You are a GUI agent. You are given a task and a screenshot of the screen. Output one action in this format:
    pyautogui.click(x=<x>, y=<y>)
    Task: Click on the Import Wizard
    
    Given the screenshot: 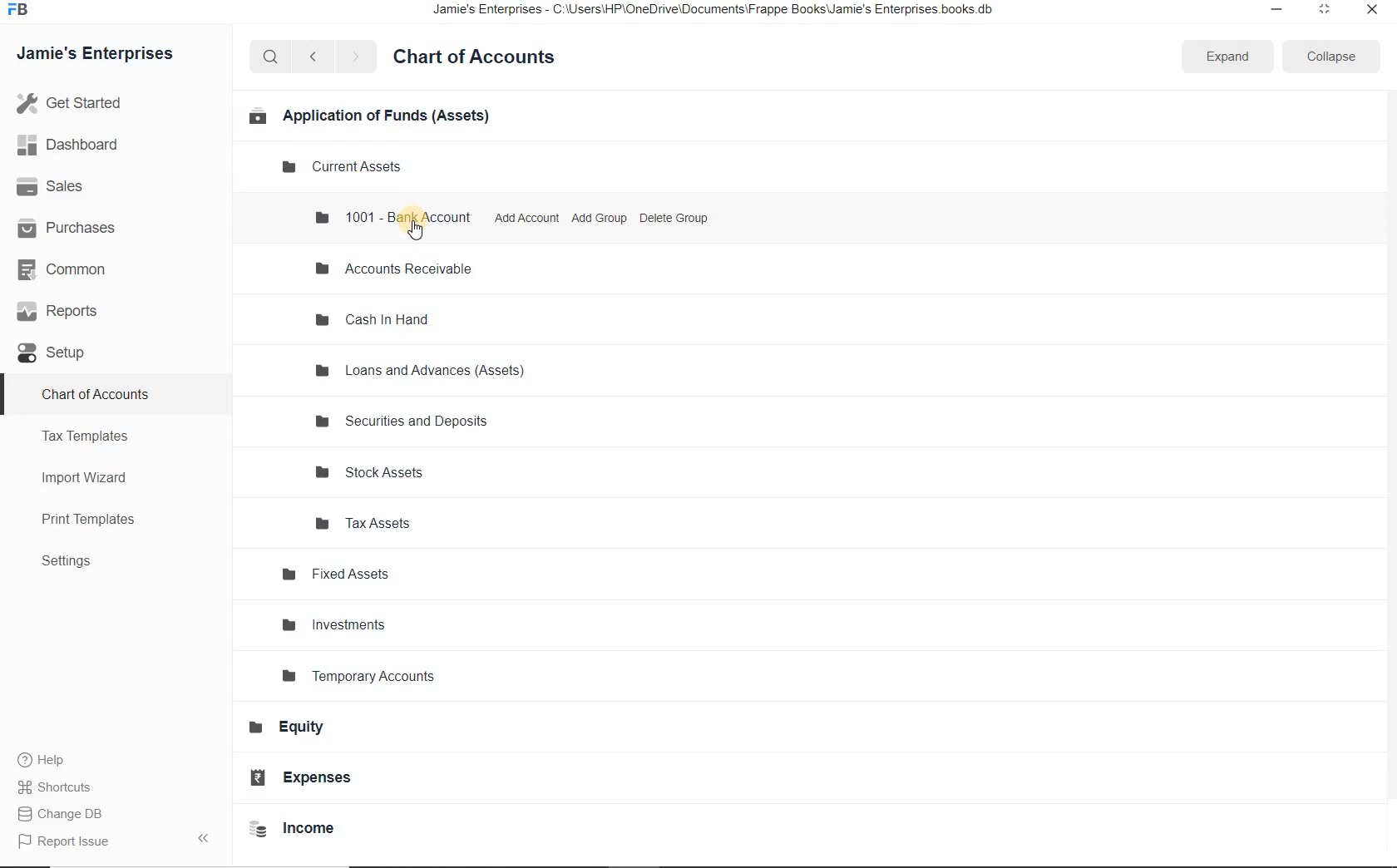 What is the action you would take?
    pyautogui.click(x=92, y=476)
    